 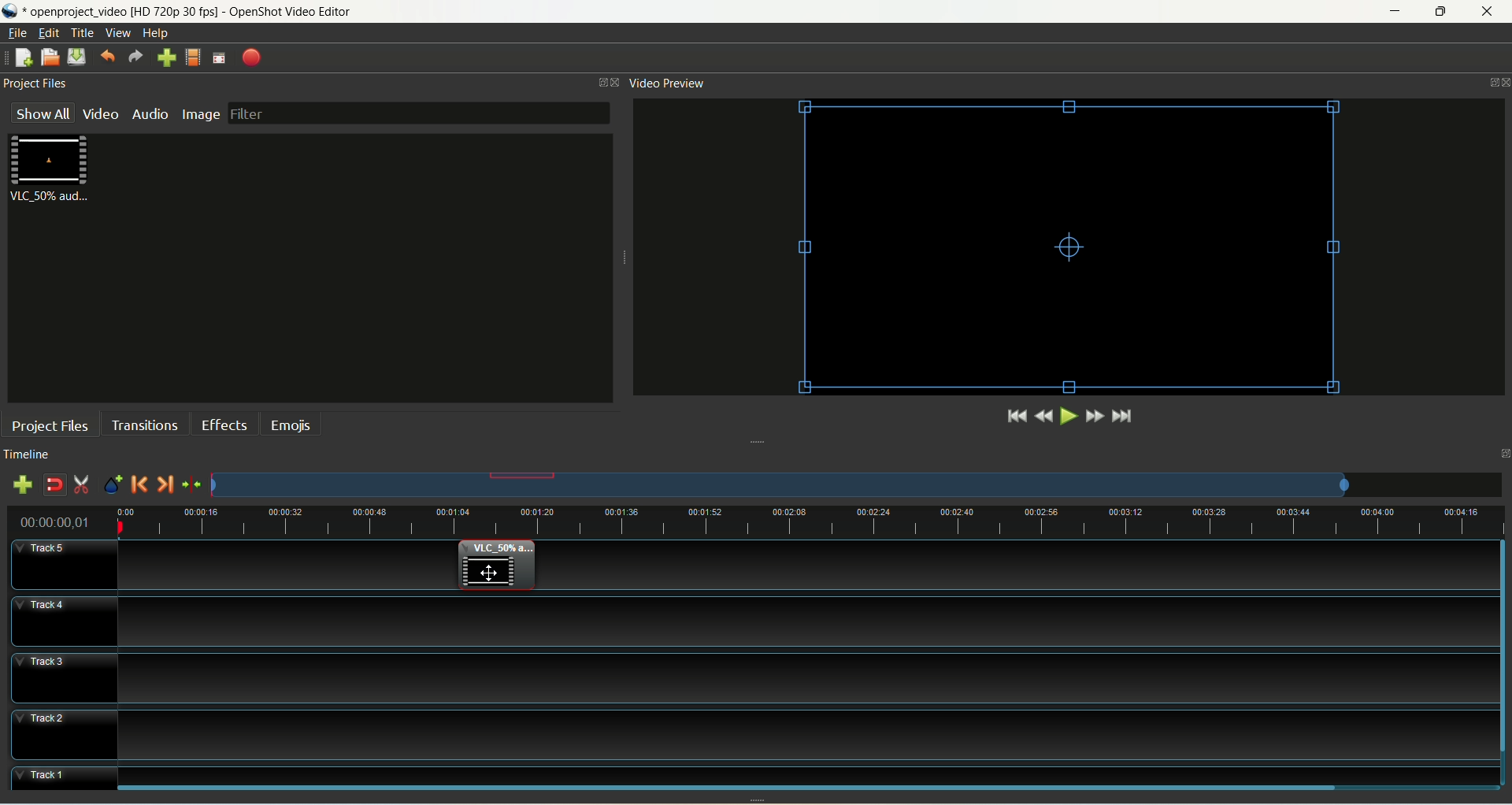 What do you see at coordinates (812, 517) in the screenshot?
I see `zoom factor` at bounding box center [812, 517].